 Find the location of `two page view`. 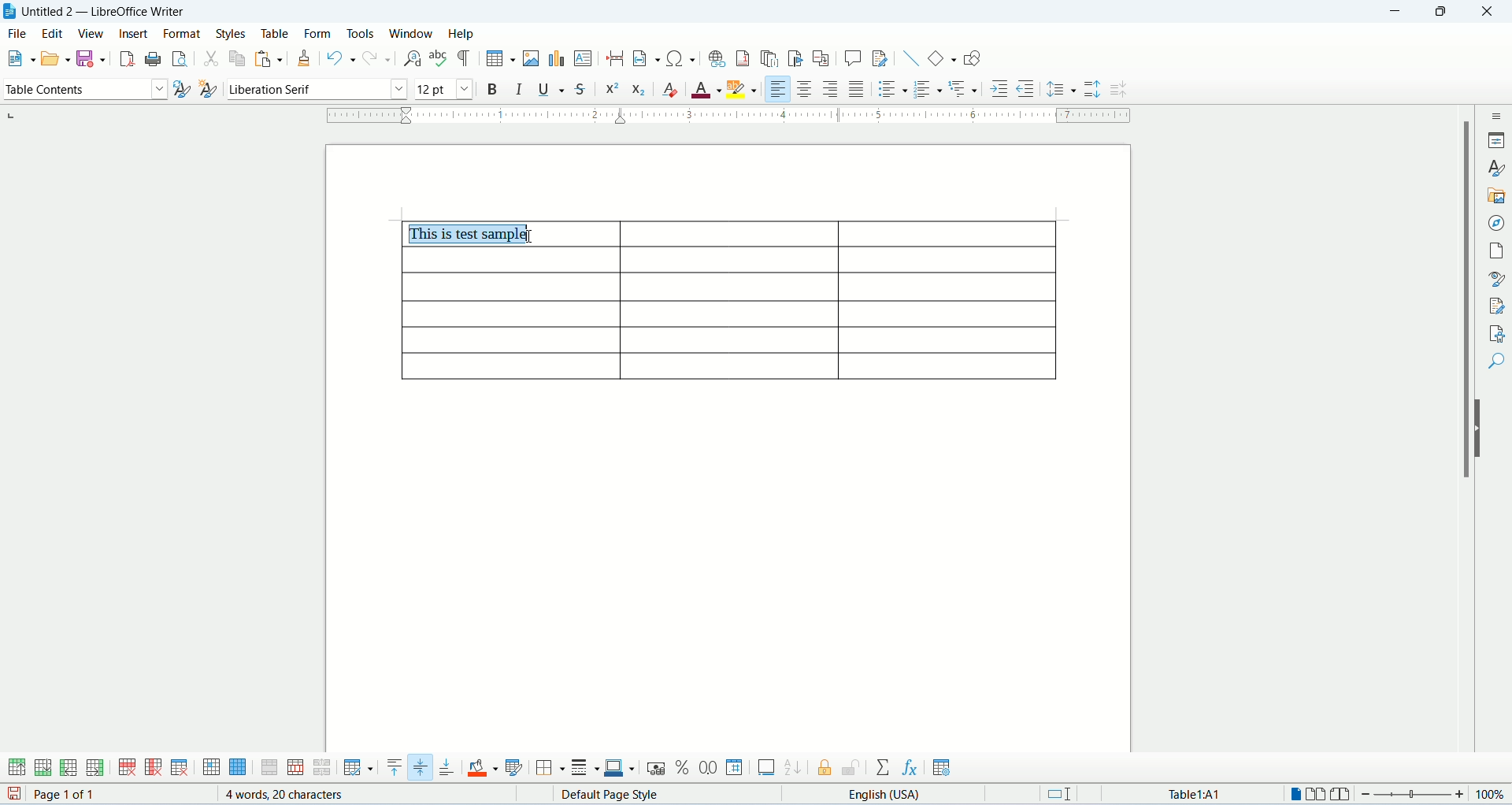

two page view is located at coordinates (1316, 795).